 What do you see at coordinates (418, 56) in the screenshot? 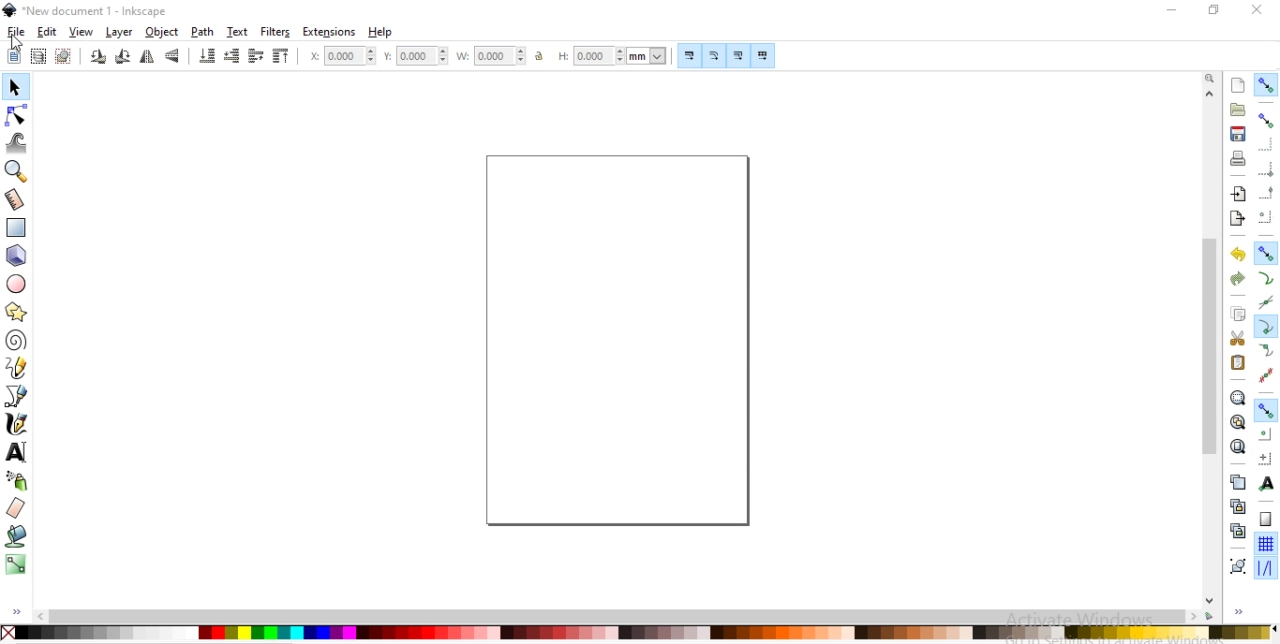
I see `vertical coordinate of selection` at bounding box center [418, 56].